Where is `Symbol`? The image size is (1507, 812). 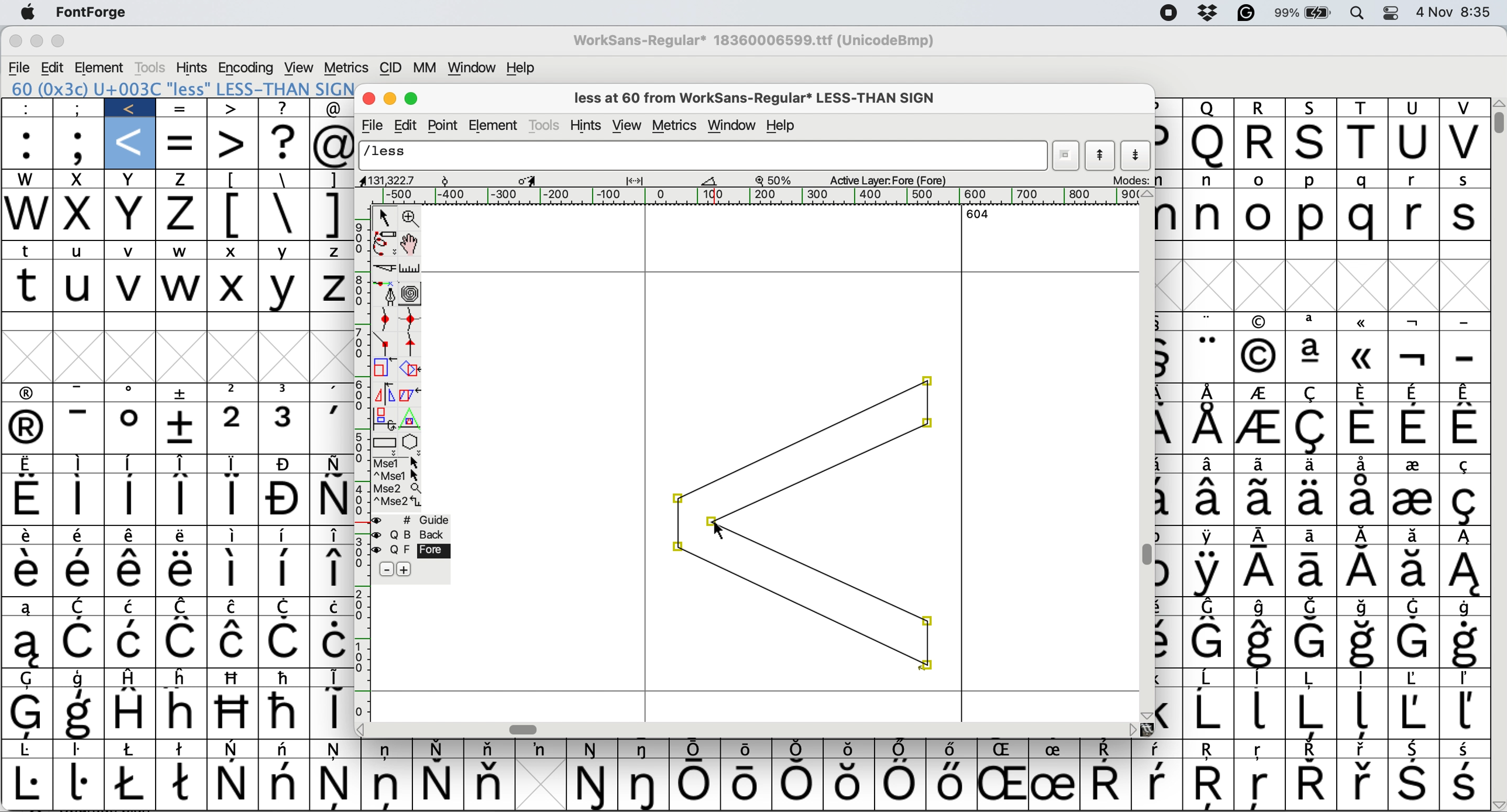
Symbol is located at coordinates (747, 785).